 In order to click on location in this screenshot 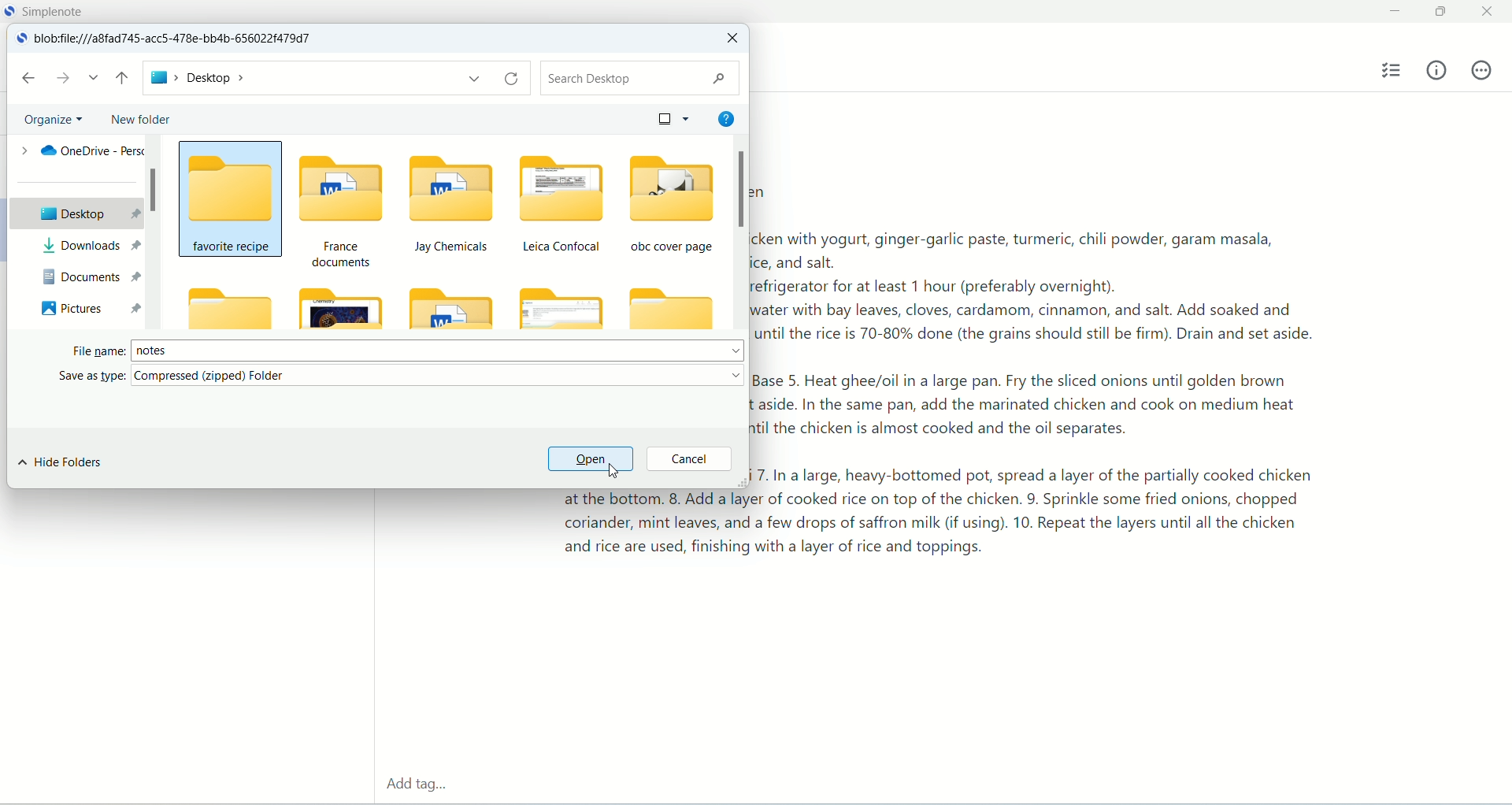, I will do `click(180, 39)`.